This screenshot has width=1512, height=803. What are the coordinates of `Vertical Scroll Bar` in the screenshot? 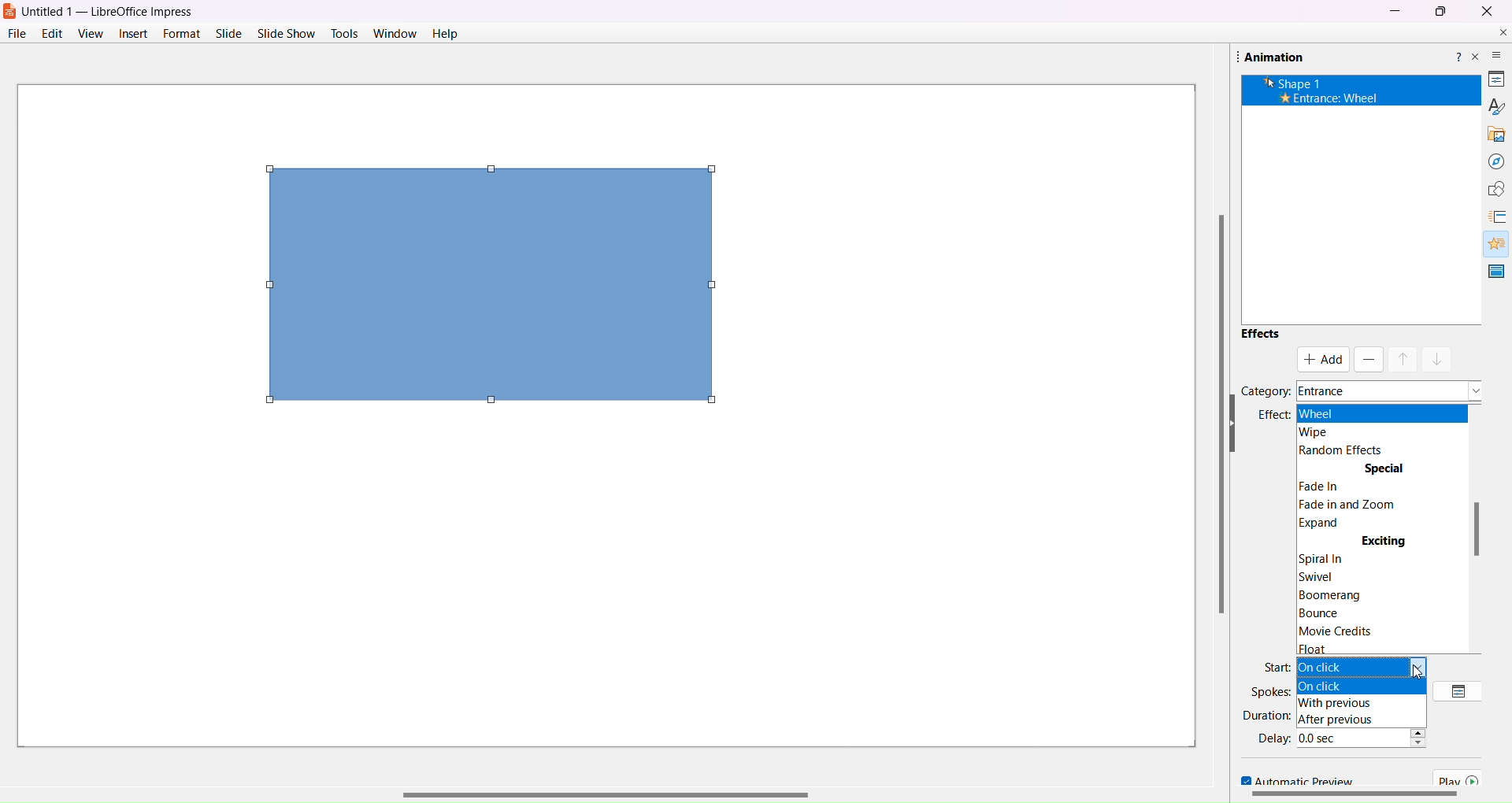 It's located at (1210, 415).